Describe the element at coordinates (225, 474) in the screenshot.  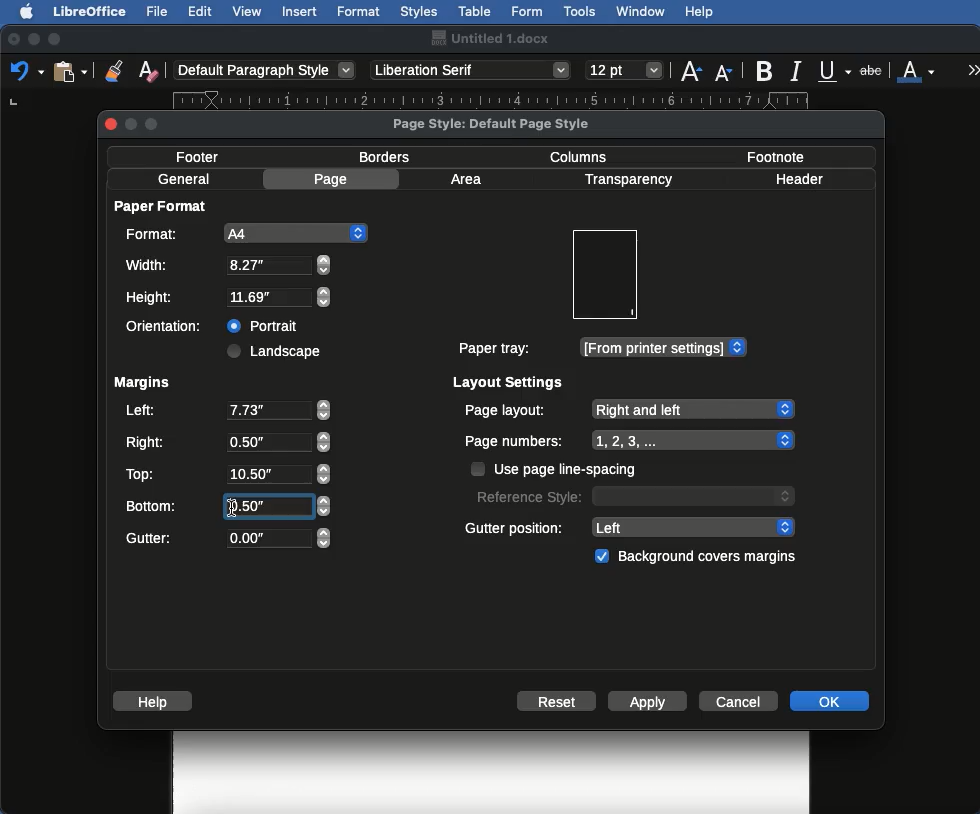
I see `Top` at that location.